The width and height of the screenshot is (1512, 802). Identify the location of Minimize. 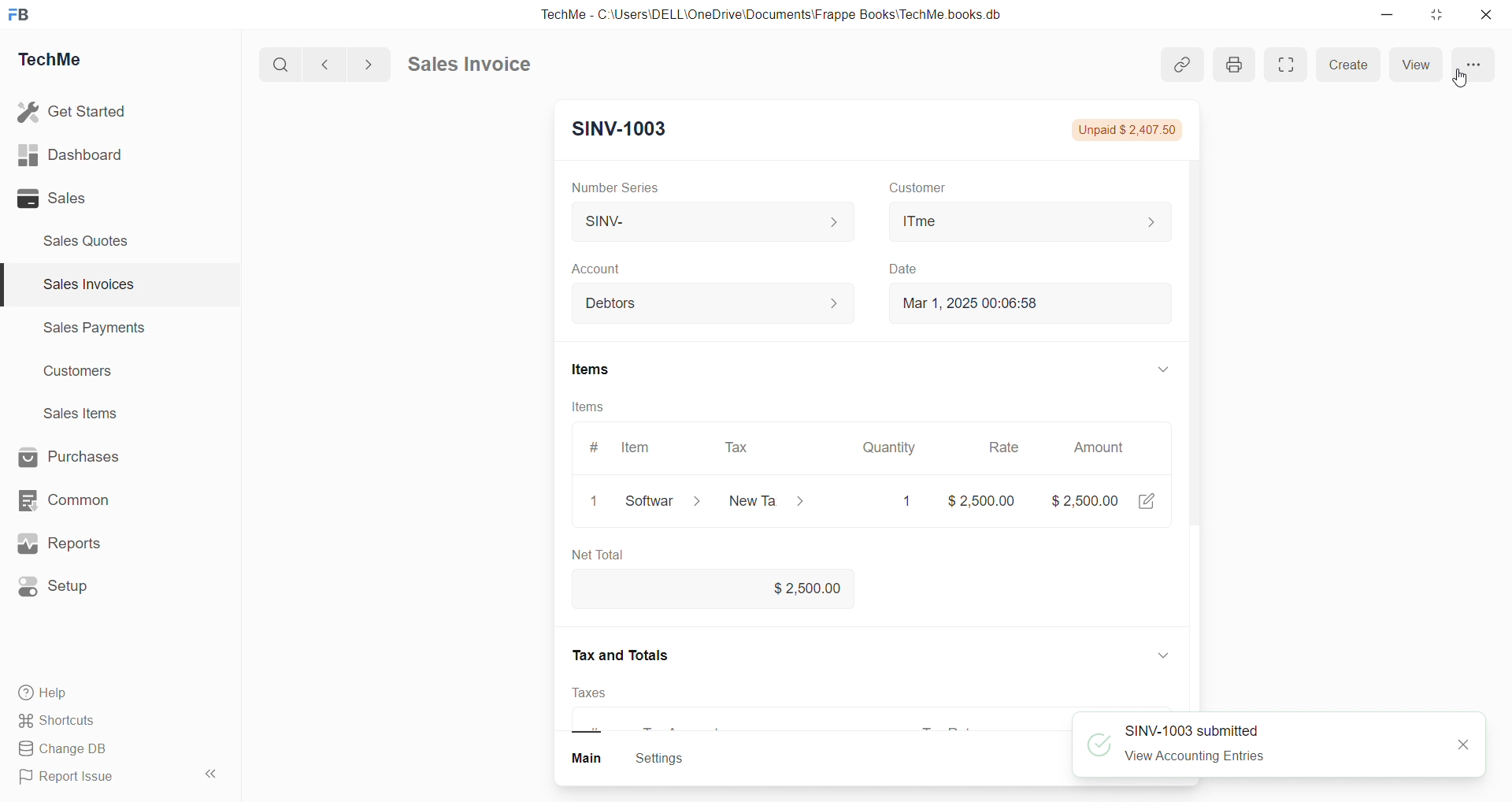
(1392, 16).